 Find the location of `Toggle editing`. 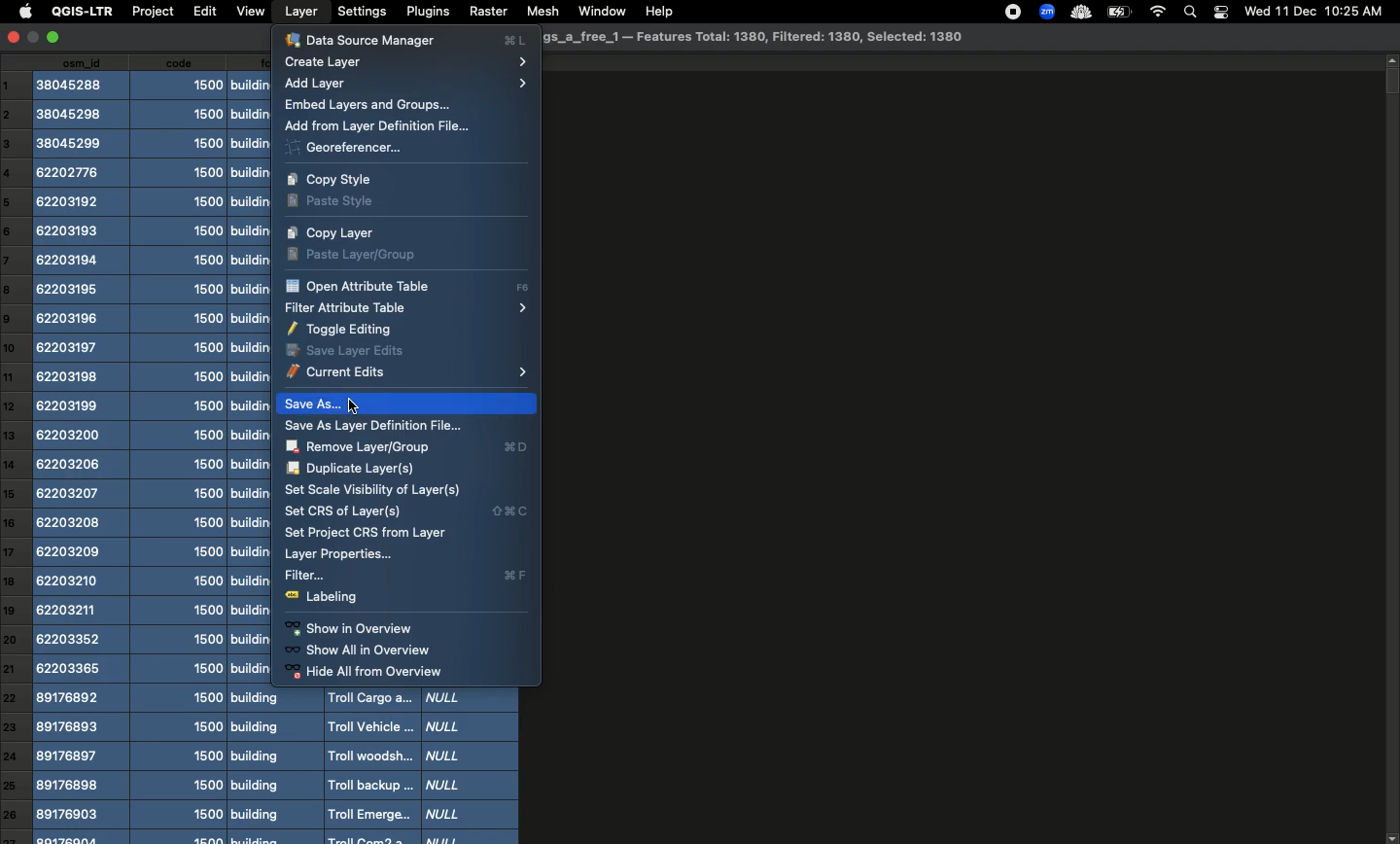

Toggle editing is located at coordinates (345, 330).